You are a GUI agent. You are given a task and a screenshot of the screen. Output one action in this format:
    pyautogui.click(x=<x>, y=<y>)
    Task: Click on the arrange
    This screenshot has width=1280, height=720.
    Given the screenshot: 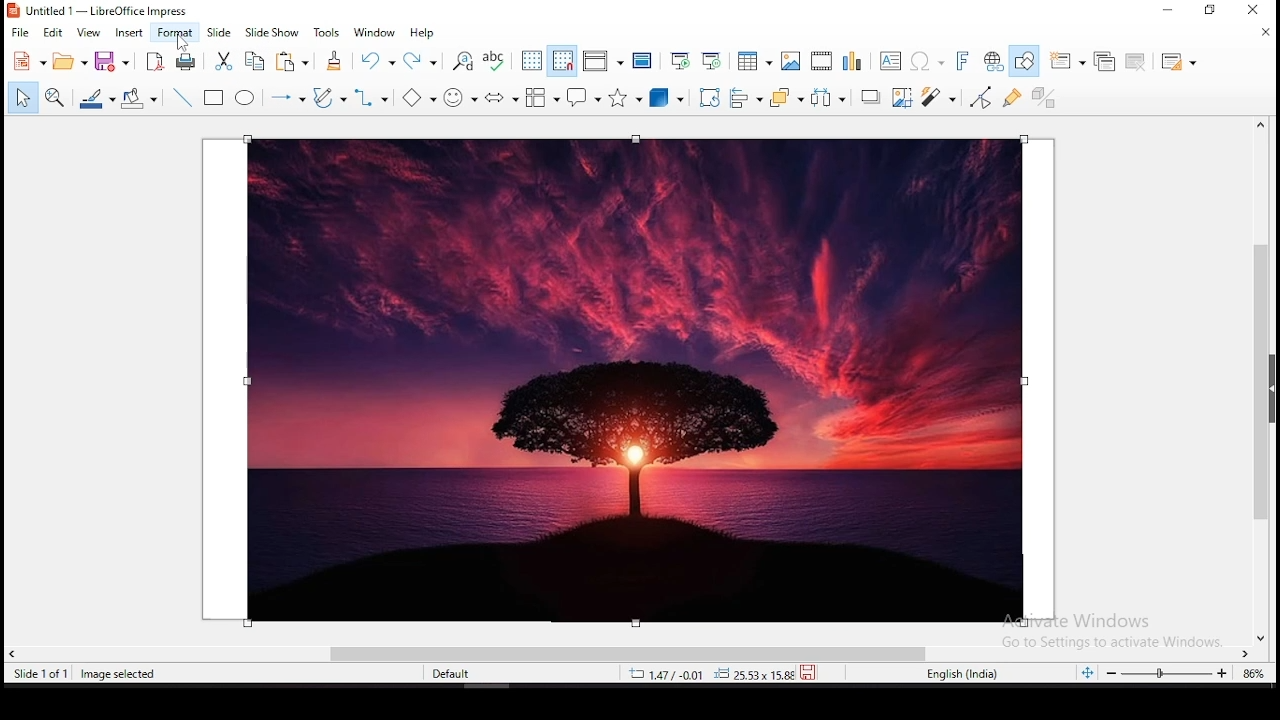 What is the action you would take?
    pyautogui.click(x=785, y=98)
    